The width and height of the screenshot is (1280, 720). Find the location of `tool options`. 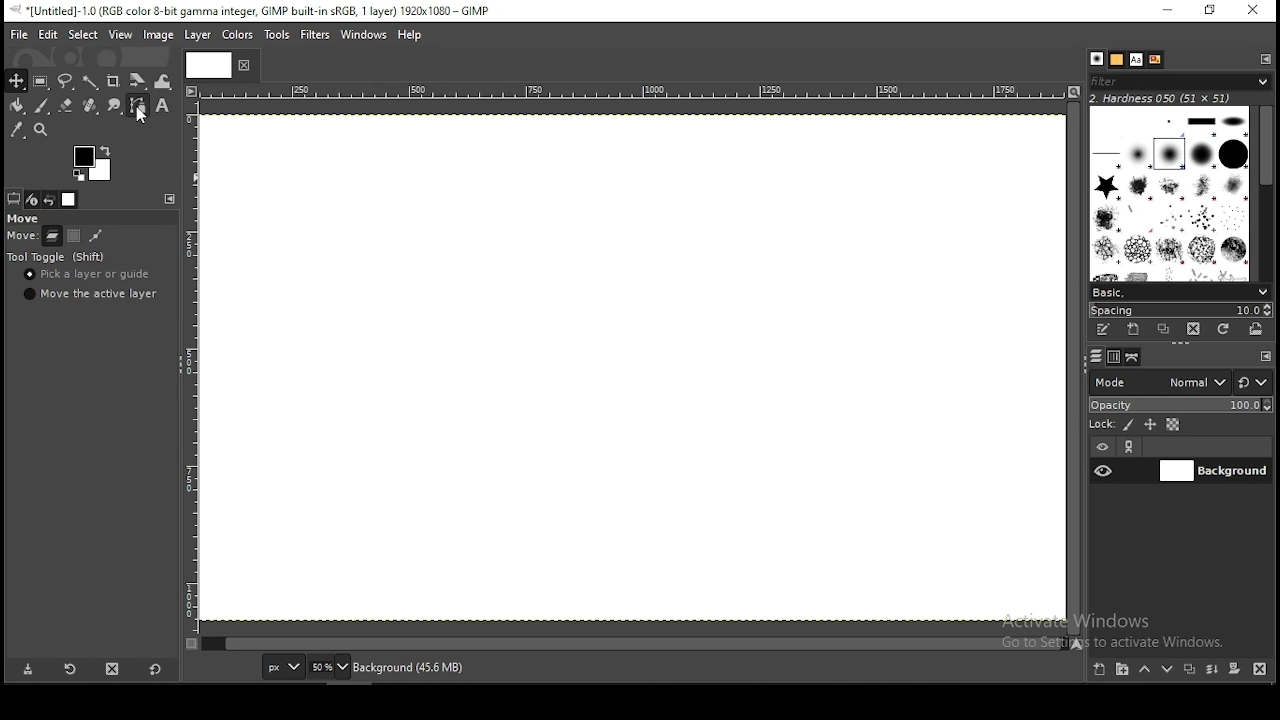

tool options is located at coordinates (14, 198).